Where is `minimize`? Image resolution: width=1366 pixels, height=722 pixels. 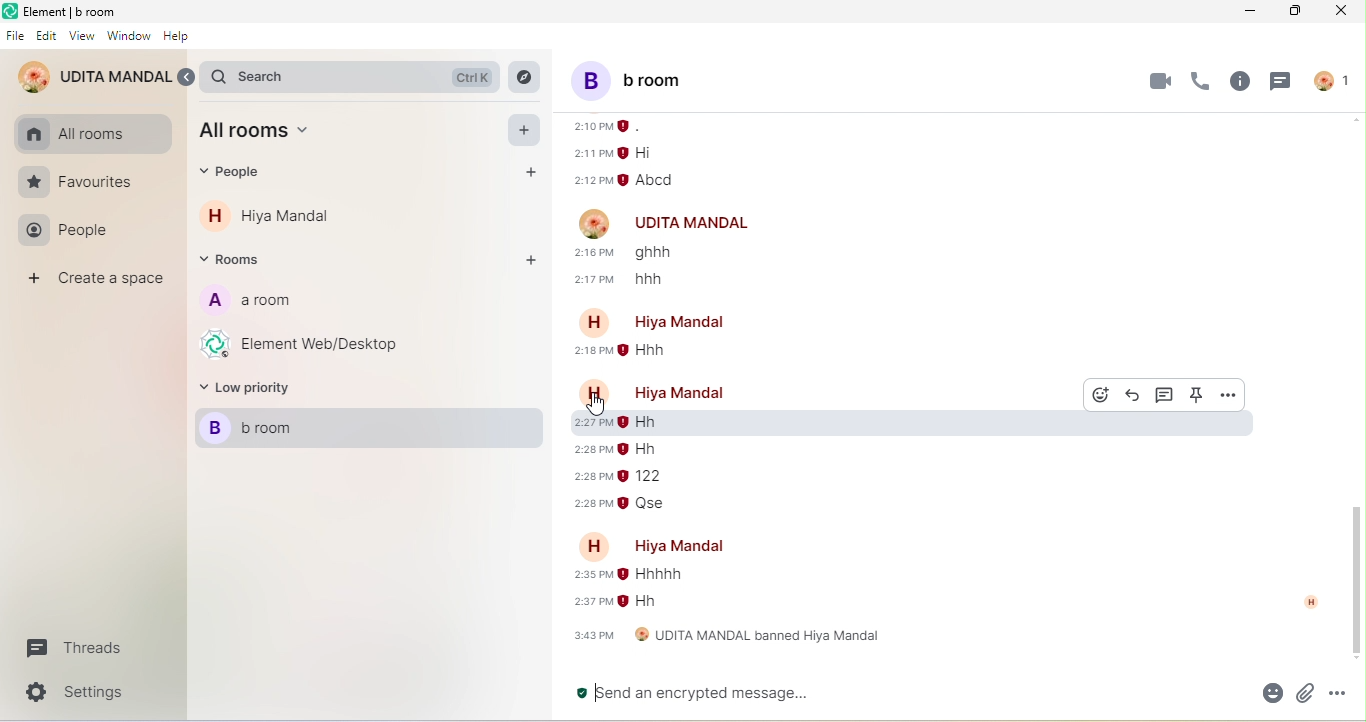 minimize is located at coordinates (1248, 11).